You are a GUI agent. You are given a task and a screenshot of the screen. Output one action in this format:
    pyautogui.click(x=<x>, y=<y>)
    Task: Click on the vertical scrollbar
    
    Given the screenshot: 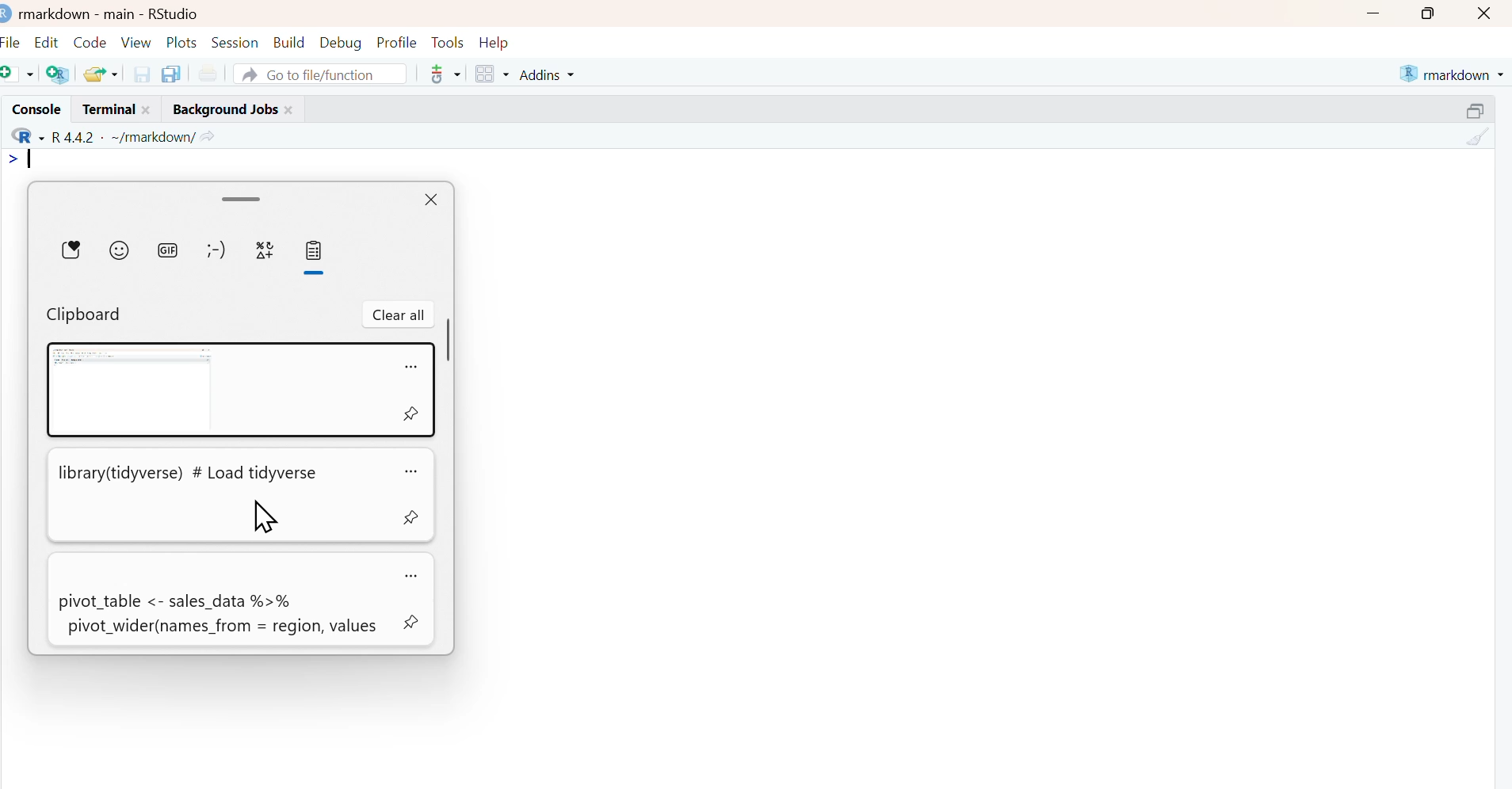 What is the action you would take?
    pyautogui.click(x=449, y=341)
    